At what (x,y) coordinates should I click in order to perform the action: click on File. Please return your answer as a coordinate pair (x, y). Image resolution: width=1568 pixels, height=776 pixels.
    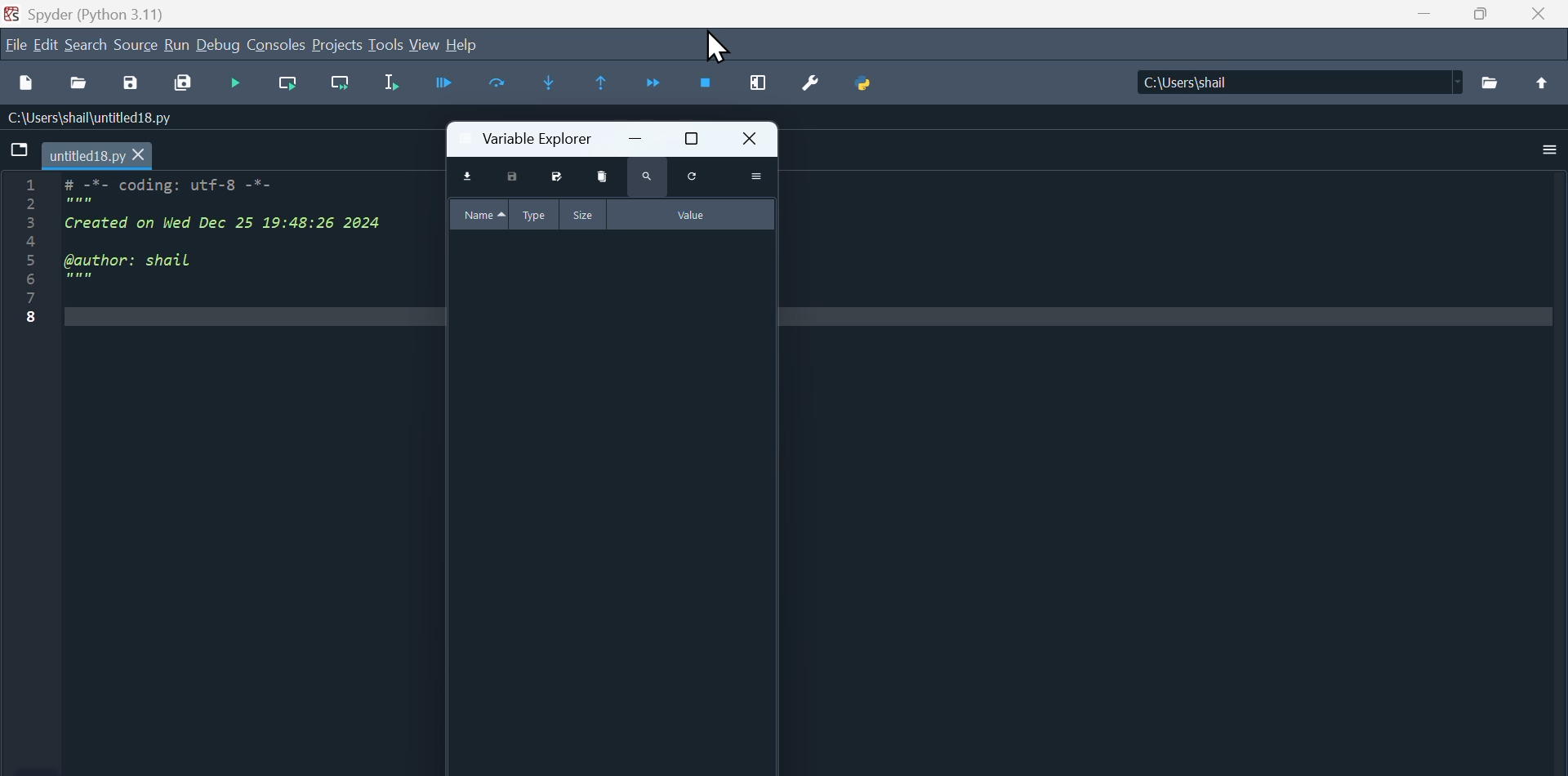
    Looking at the image, I should click on (15, 47).